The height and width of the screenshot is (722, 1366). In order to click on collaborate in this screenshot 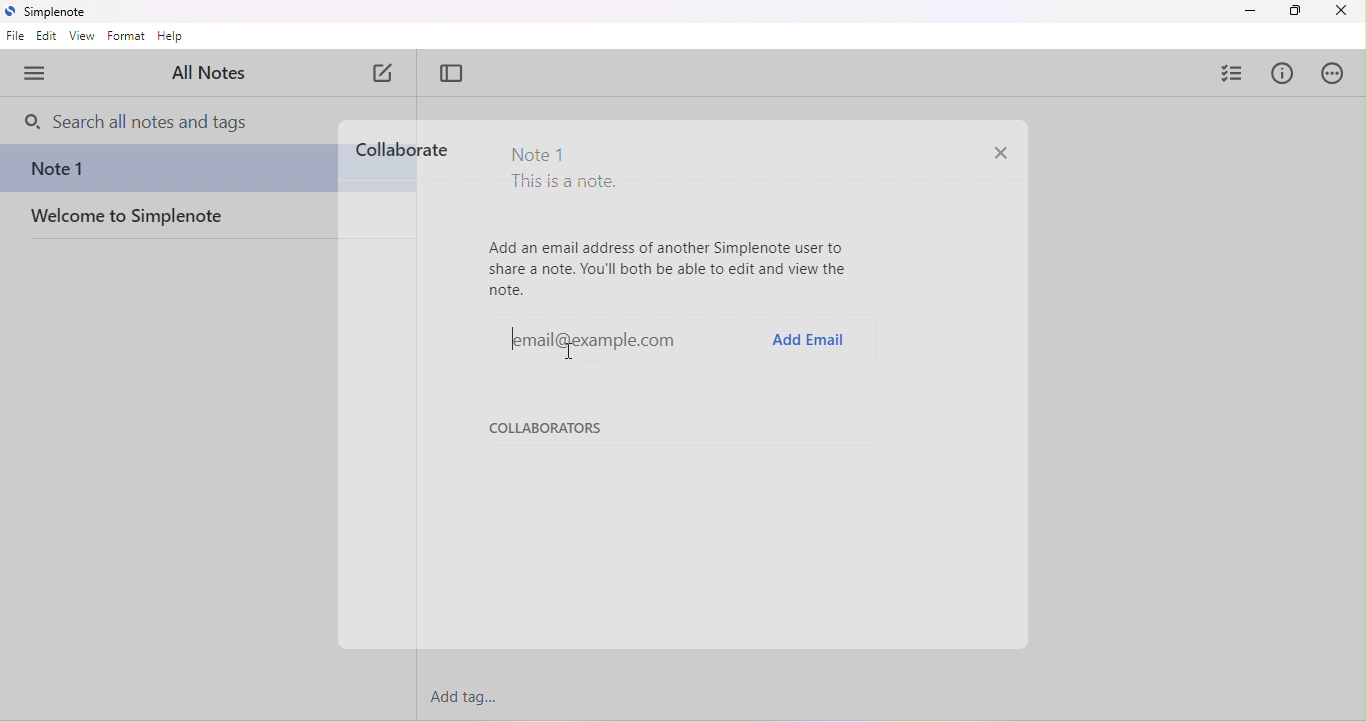, I will do `click(401, 149)`.